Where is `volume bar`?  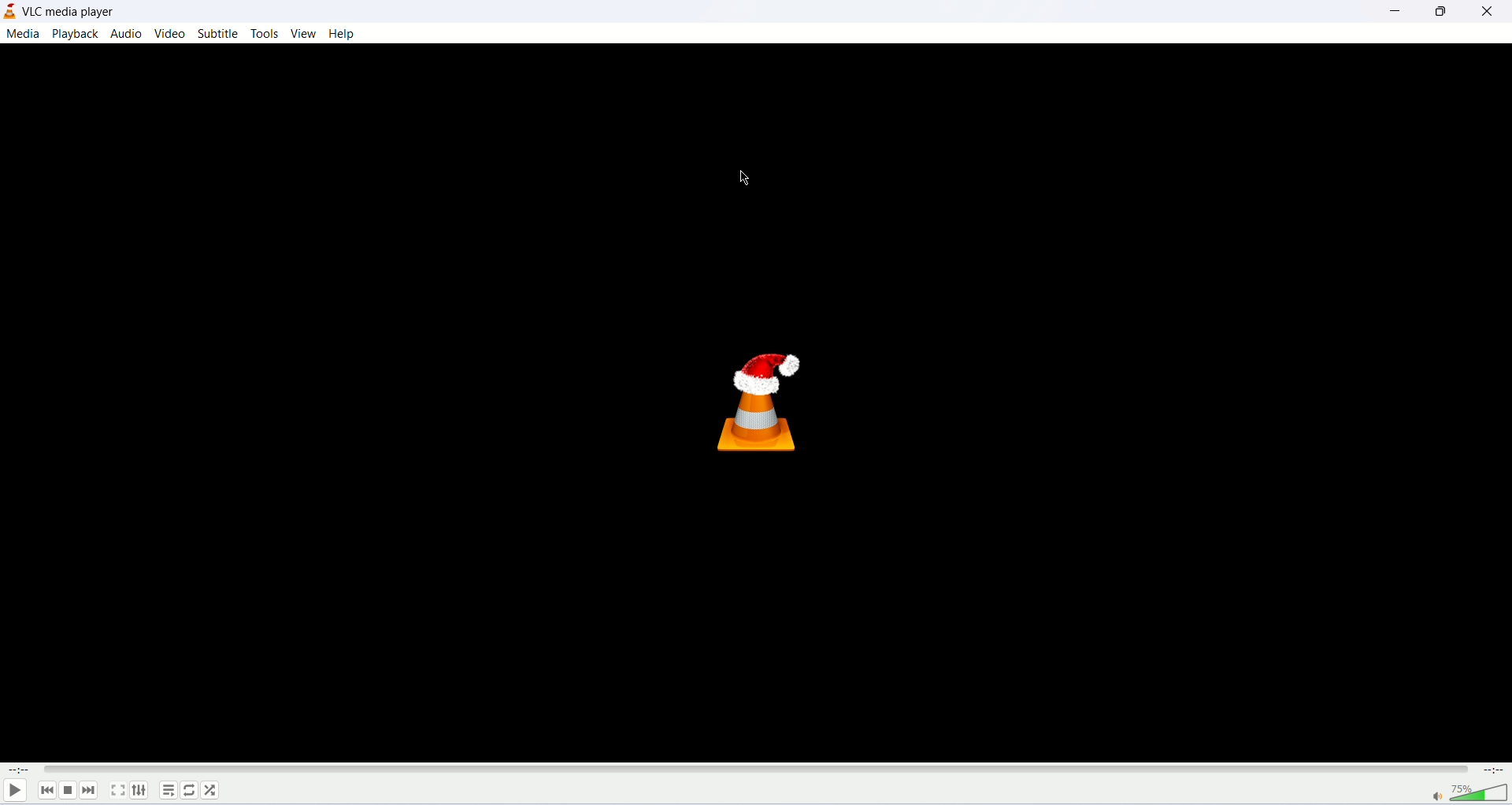 volume bar is located at coordinates (1466, 793).